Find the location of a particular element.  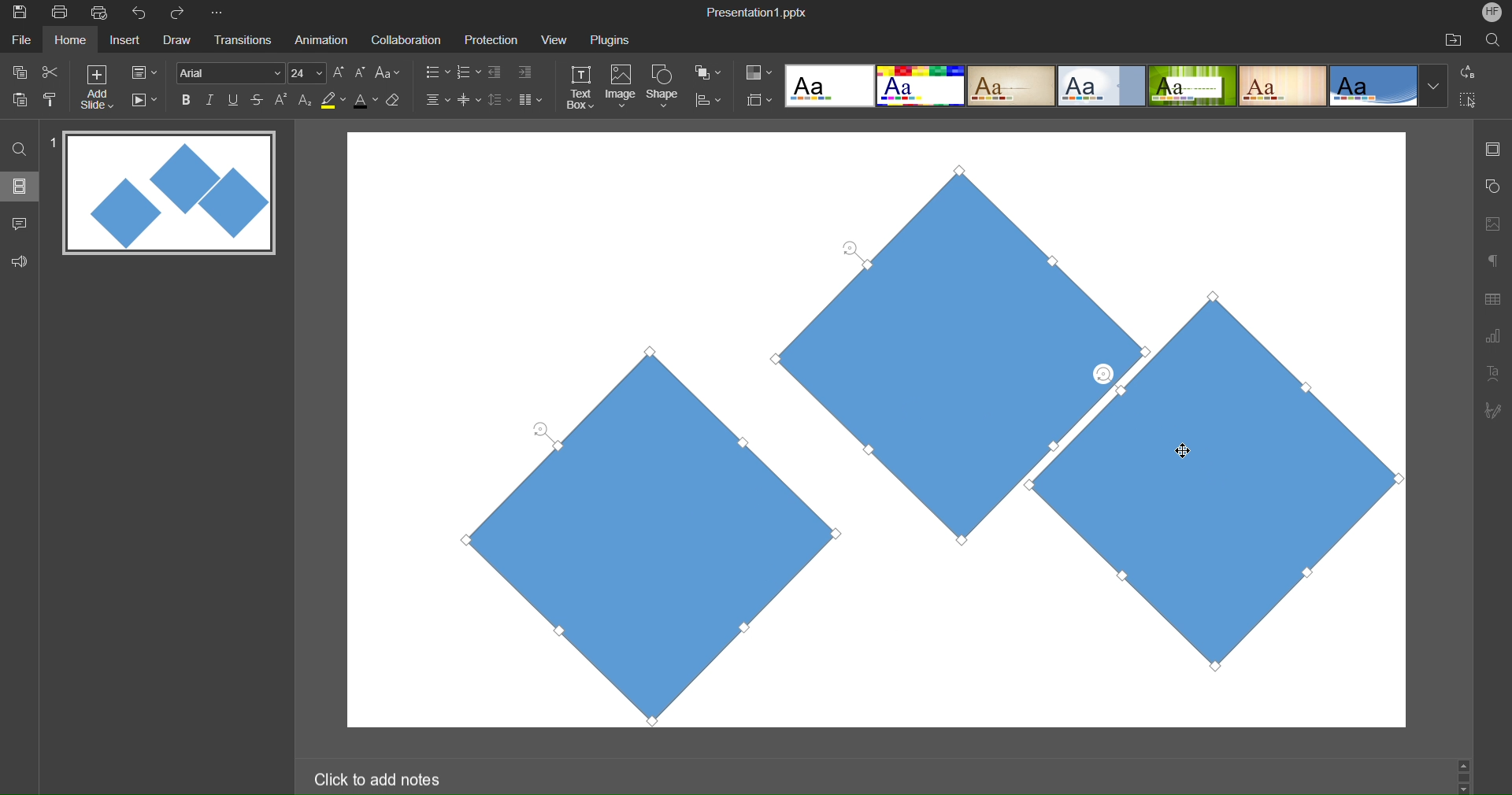

Align is located at coordinates (708, 101).